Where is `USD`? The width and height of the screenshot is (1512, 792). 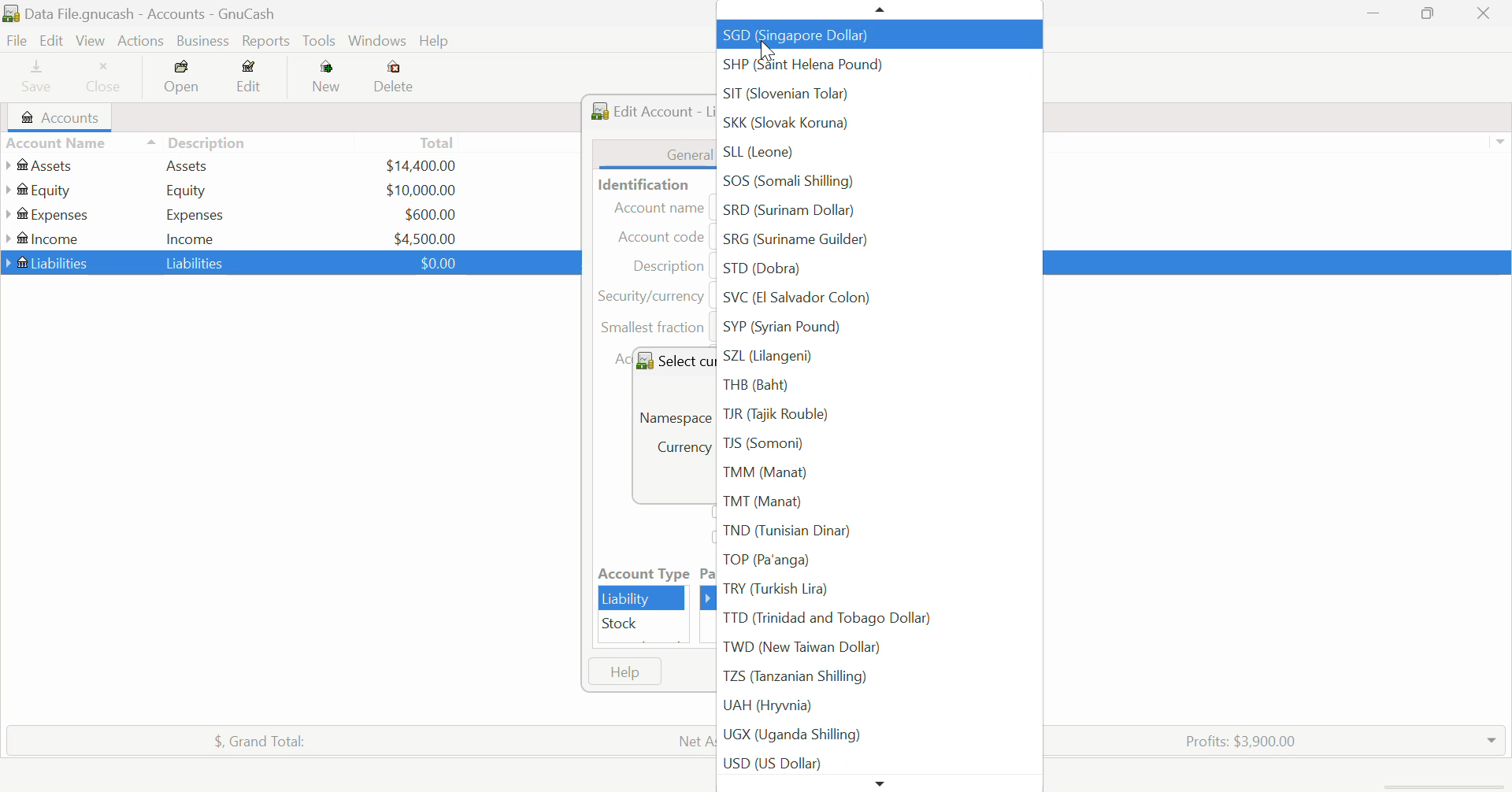
USD is located at coordinates (878, 763).